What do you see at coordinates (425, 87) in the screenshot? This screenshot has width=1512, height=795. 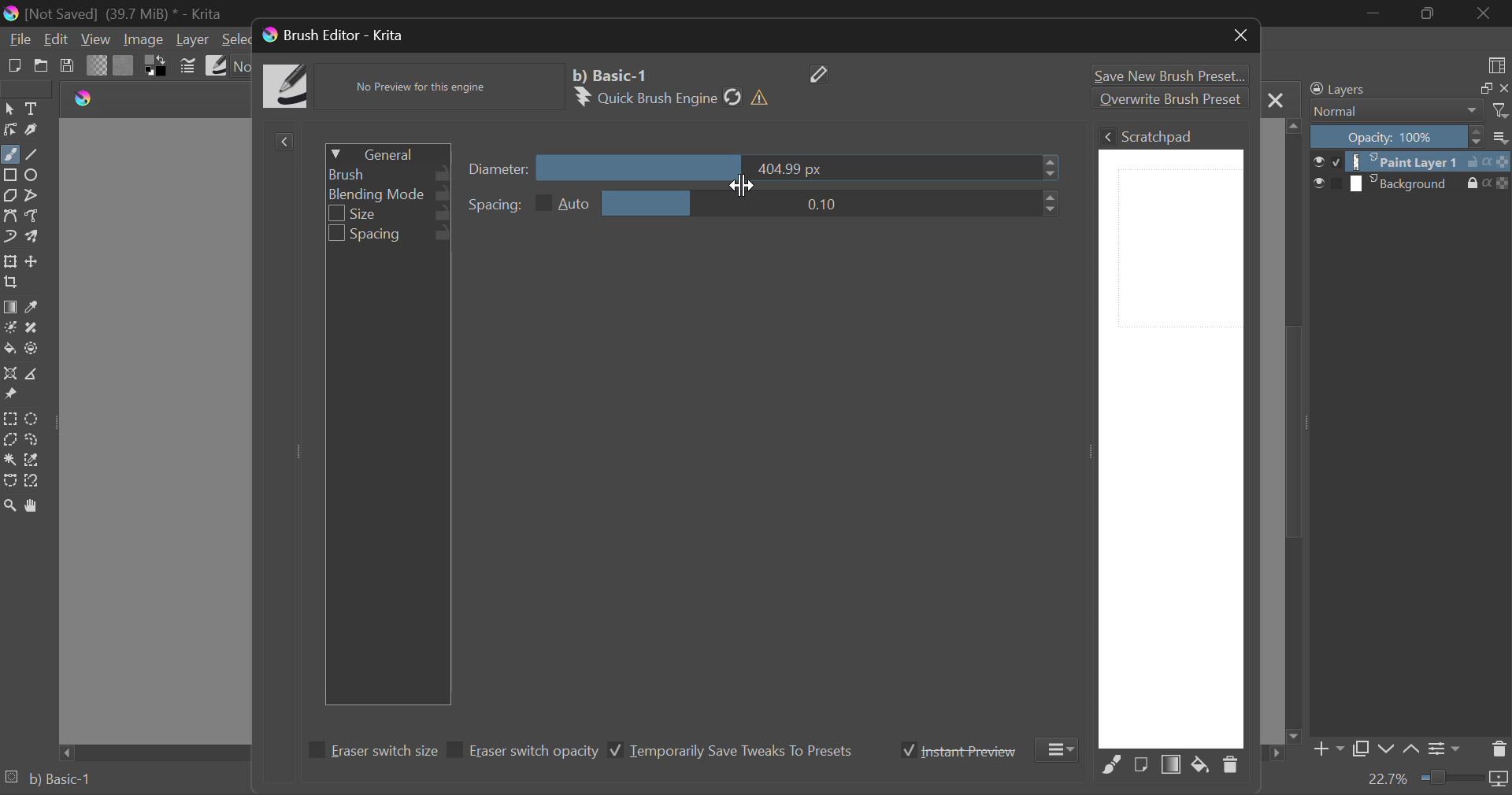 I see `No Preview Available` at bounding box center [425, 87].